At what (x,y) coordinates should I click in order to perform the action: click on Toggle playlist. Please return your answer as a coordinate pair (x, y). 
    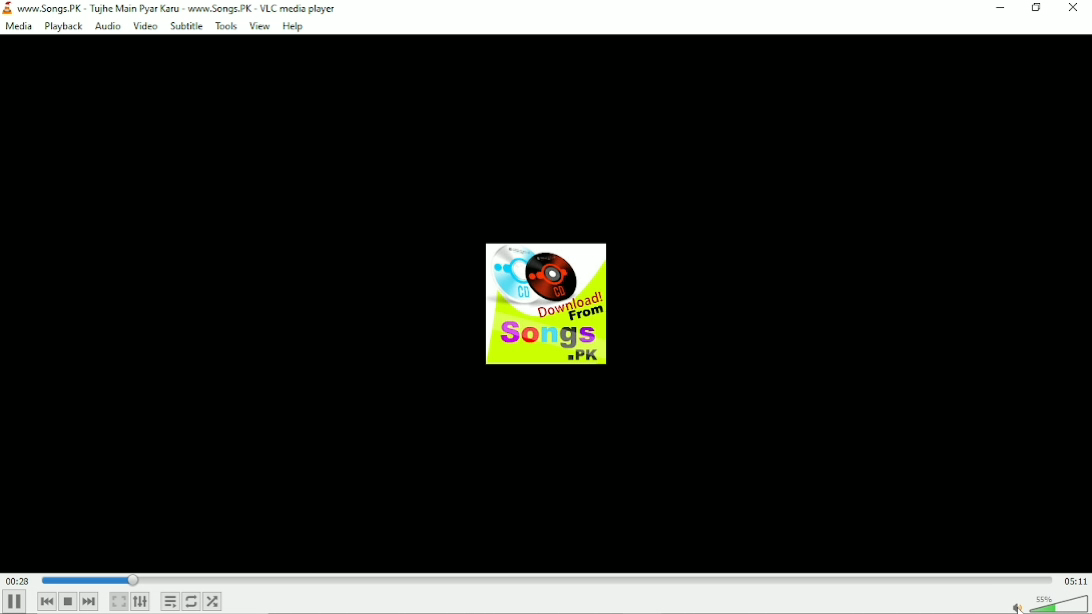
    Looking at the image, I should click on (170, 602).